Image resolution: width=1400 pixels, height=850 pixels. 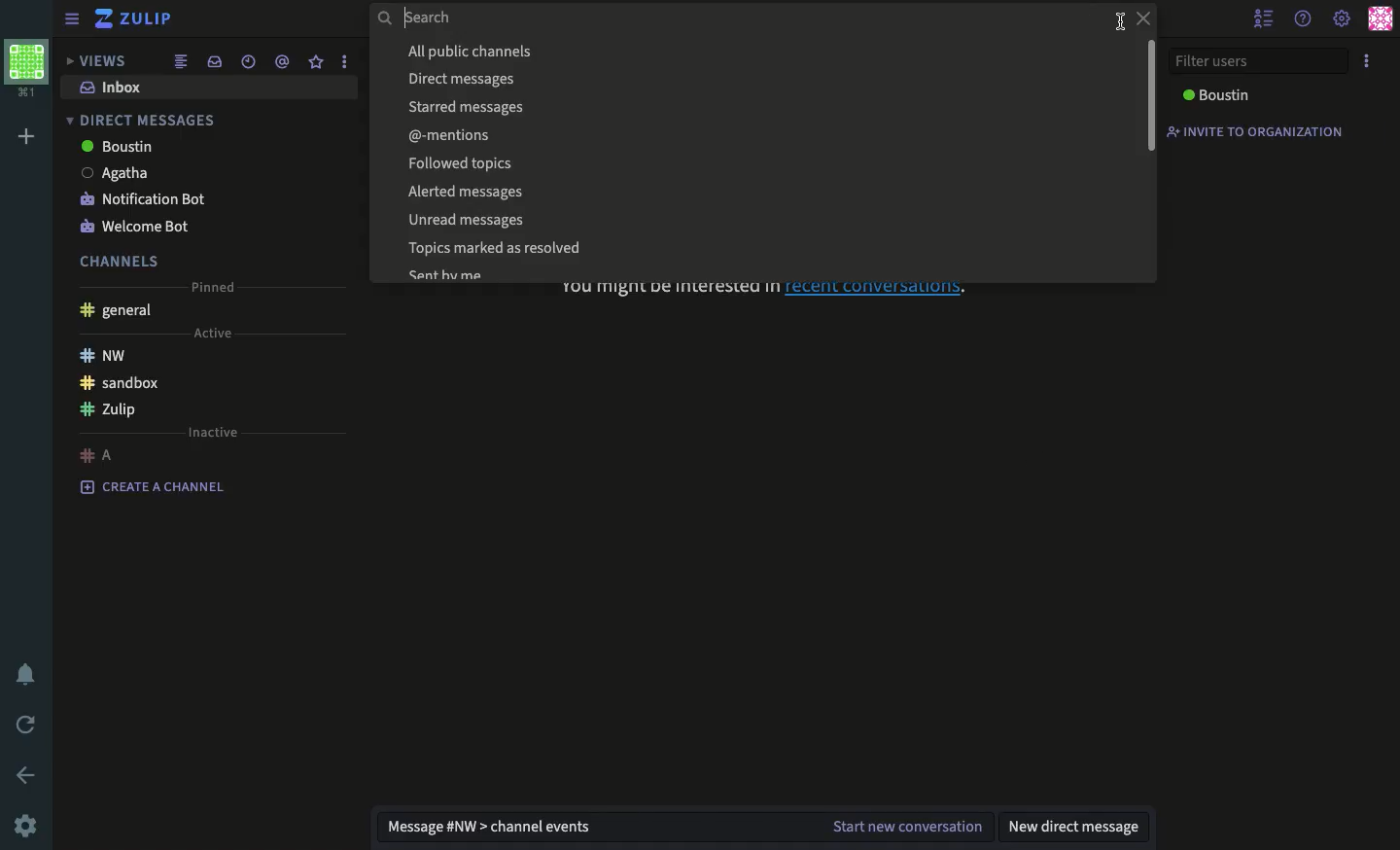 What do you see at coordinates (1382, 20) in the screenshot?
I see `user profile` at bounding box center [1382, 20].